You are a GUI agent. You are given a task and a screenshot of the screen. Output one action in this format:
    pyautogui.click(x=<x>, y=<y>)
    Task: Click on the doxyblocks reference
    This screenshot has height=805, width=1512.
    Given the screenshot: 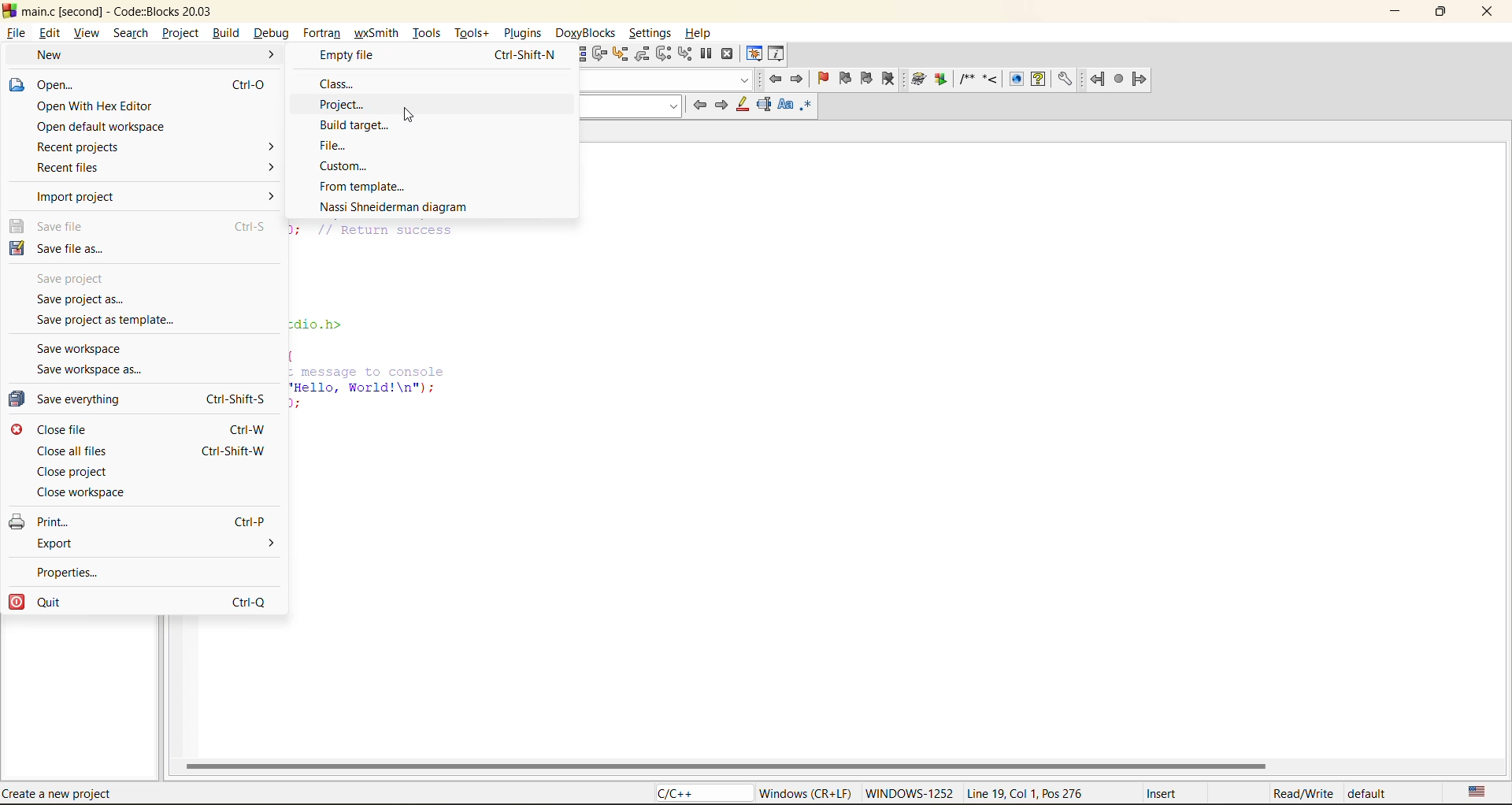 What is the action you would take?
    pyautogui.click(x=991, y=80)
    